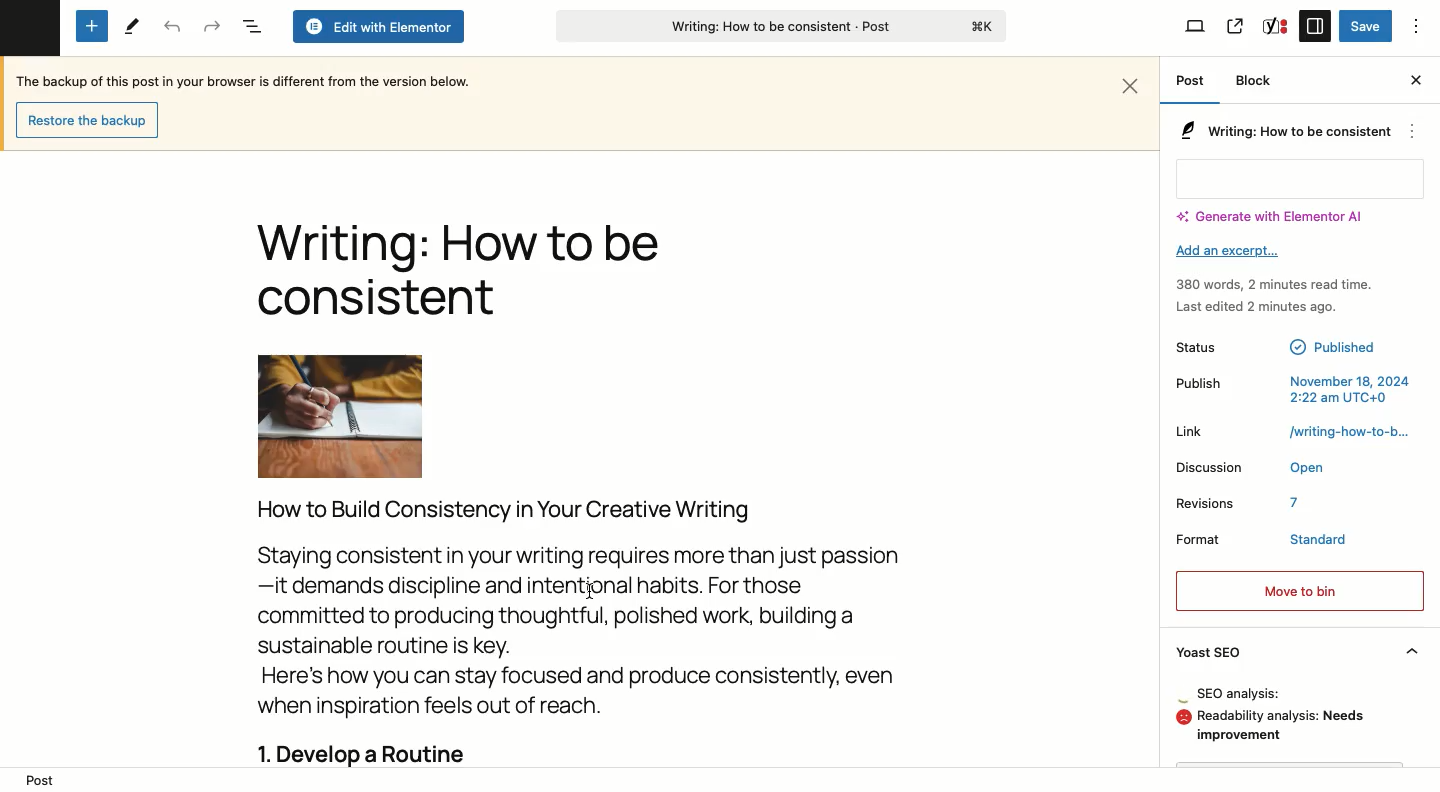 Image resolution: width=1440 pixels, height=792 pixels. I want to click on Save, so click(1365, 27).